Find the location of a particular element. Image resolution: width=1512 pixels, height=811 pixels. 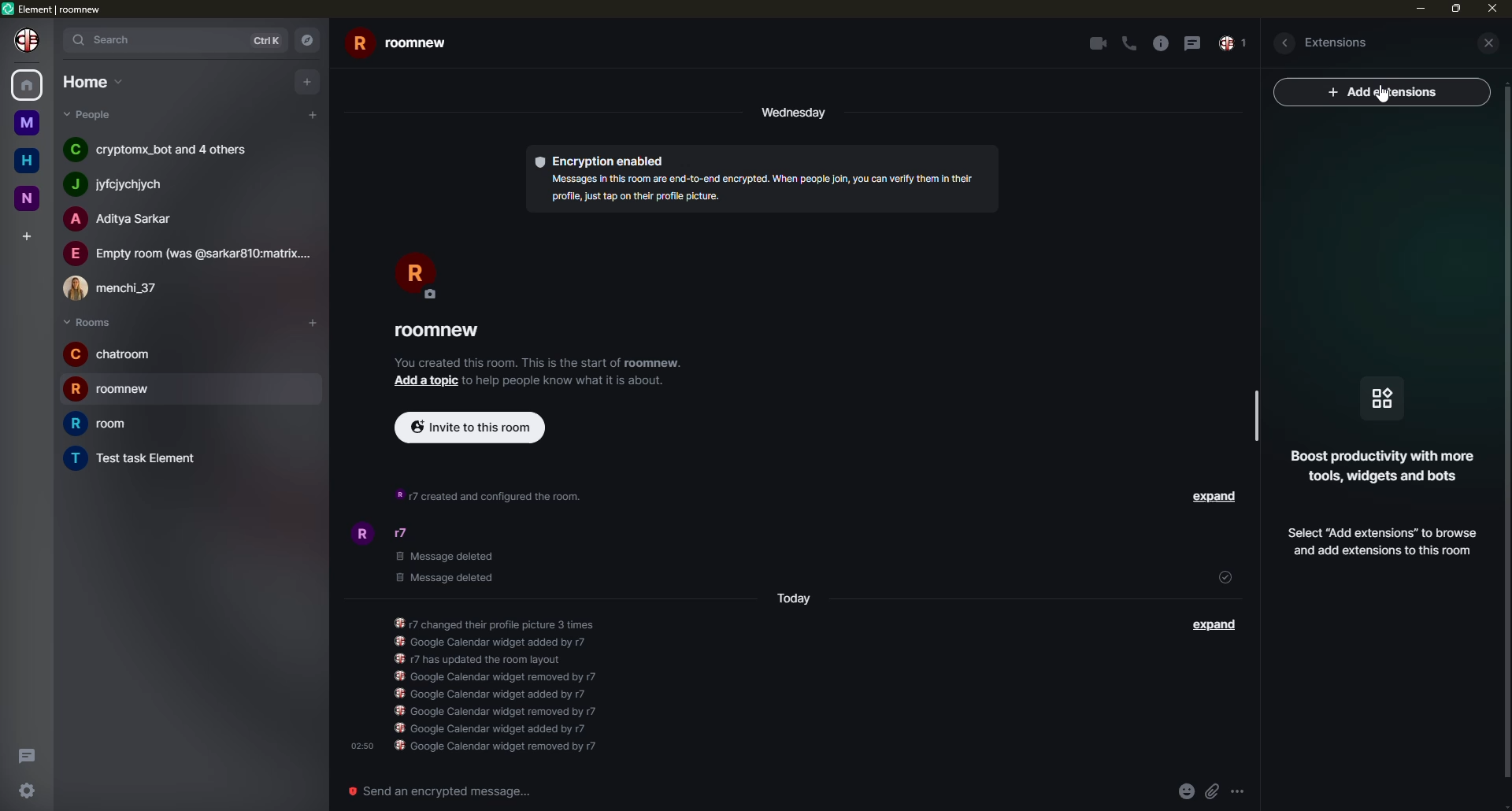

info is located at coordinates (502, 685).